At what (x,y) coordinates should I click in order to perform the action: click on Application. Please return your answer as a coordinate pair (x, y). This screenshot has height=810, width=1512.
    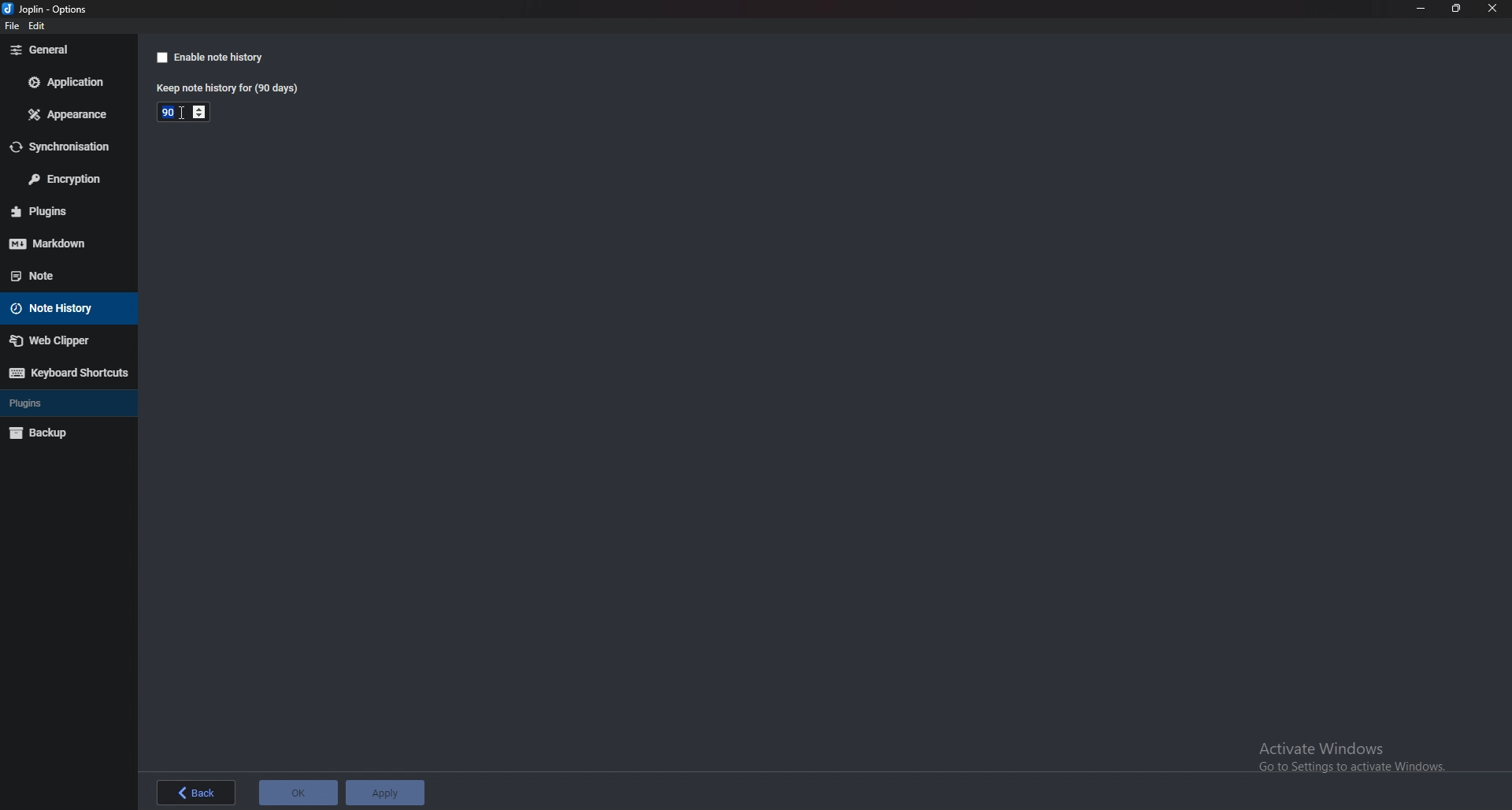
    Looking at the image, I should click on (67, 81).